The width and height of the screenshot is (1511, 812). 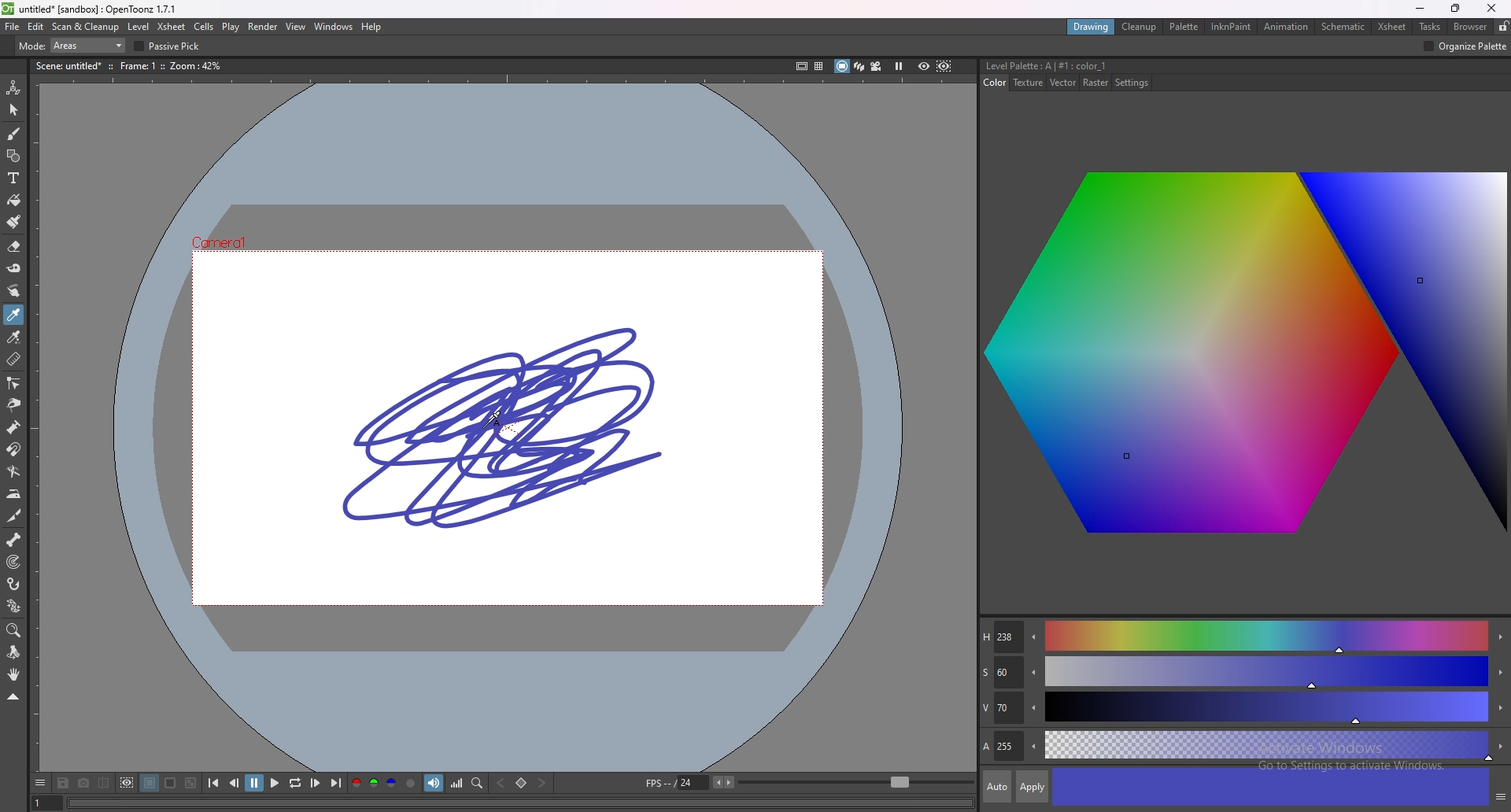 I want to click on checkered background, so click(x=190, y=783).